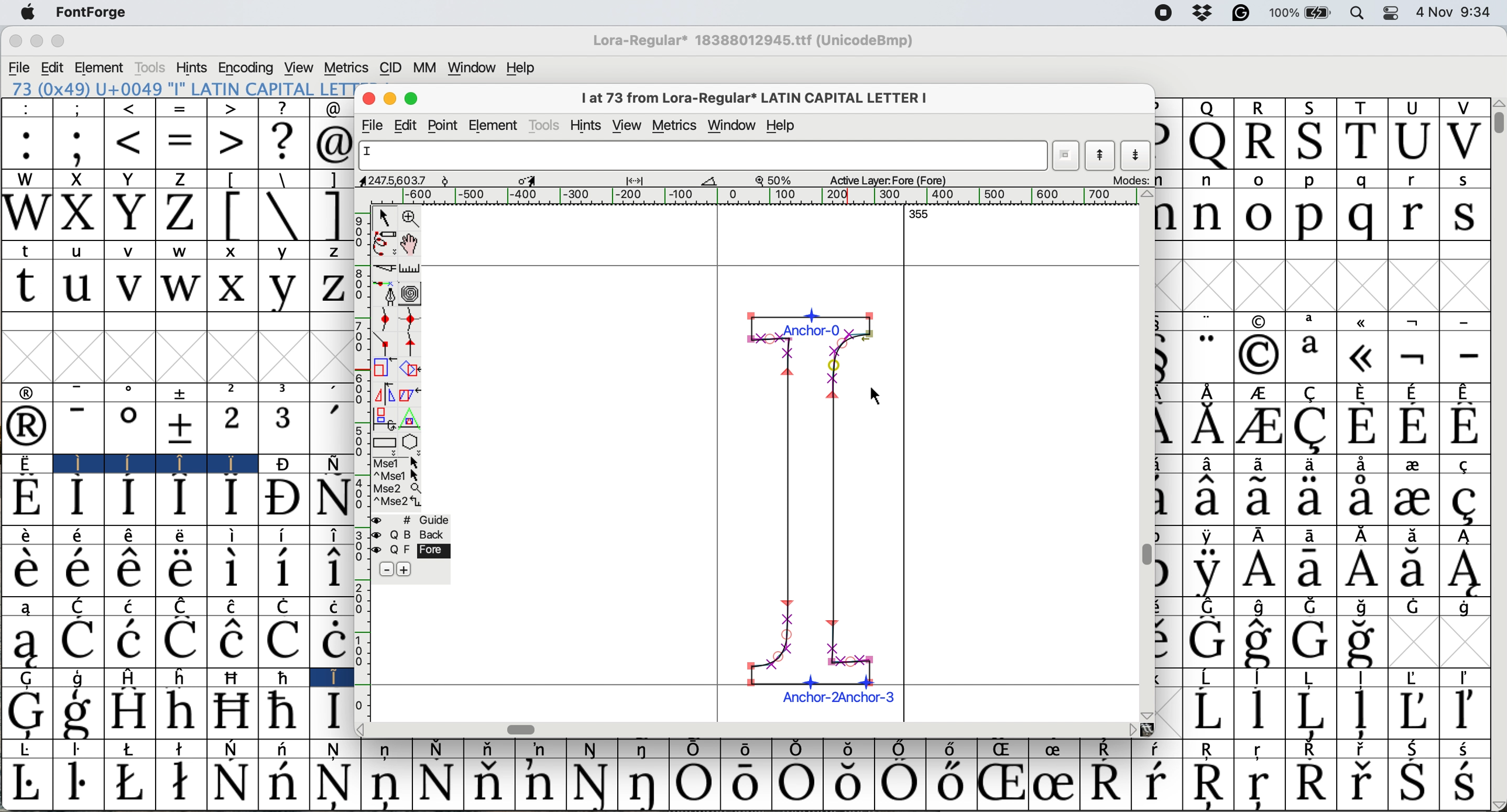  Describe the element at coordinates (796, 749) in the screenshot. I see `Symbol` at that location.